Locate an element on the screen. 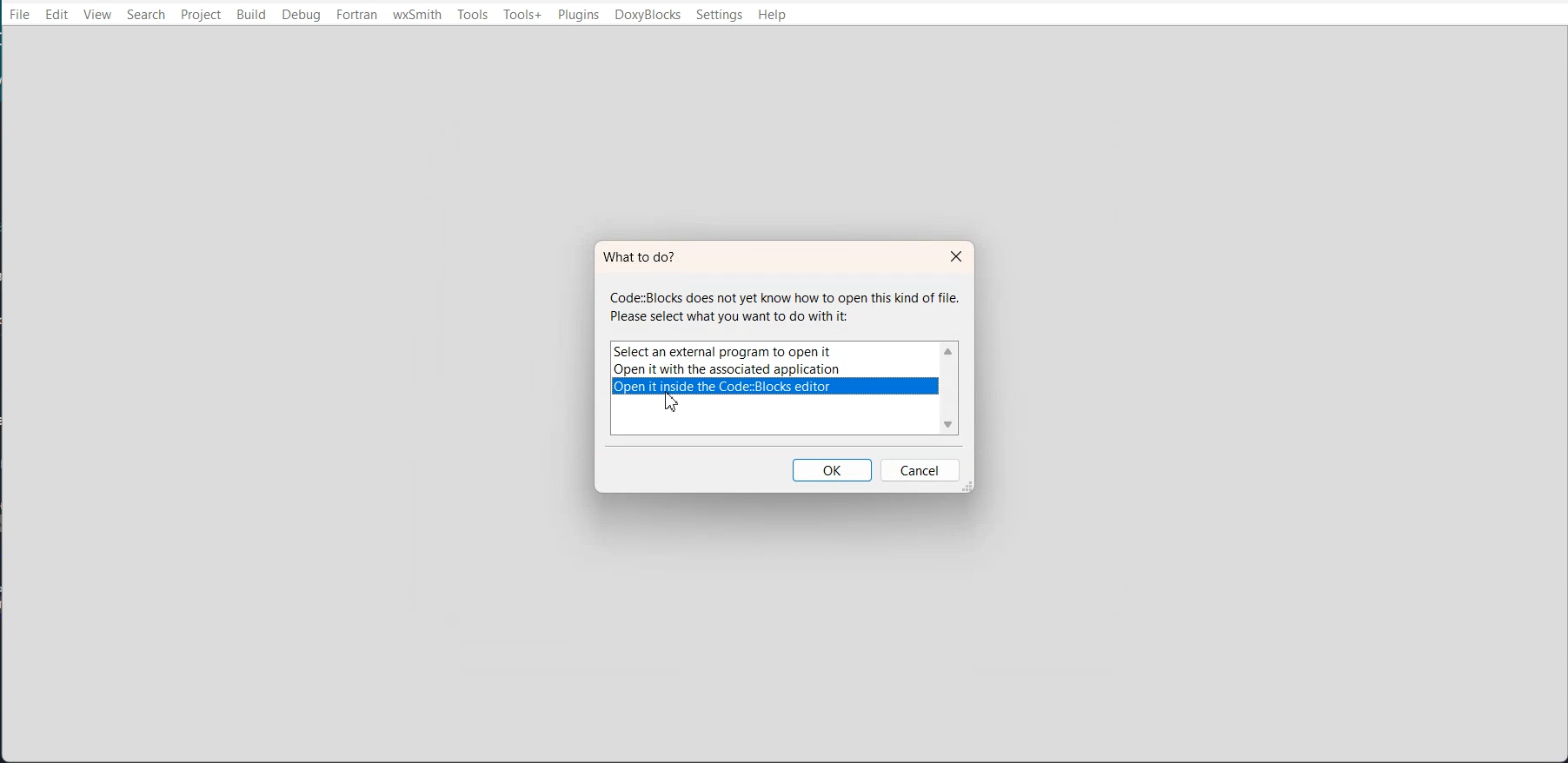  DoxyBlocks is located at coordinates (648, 15).